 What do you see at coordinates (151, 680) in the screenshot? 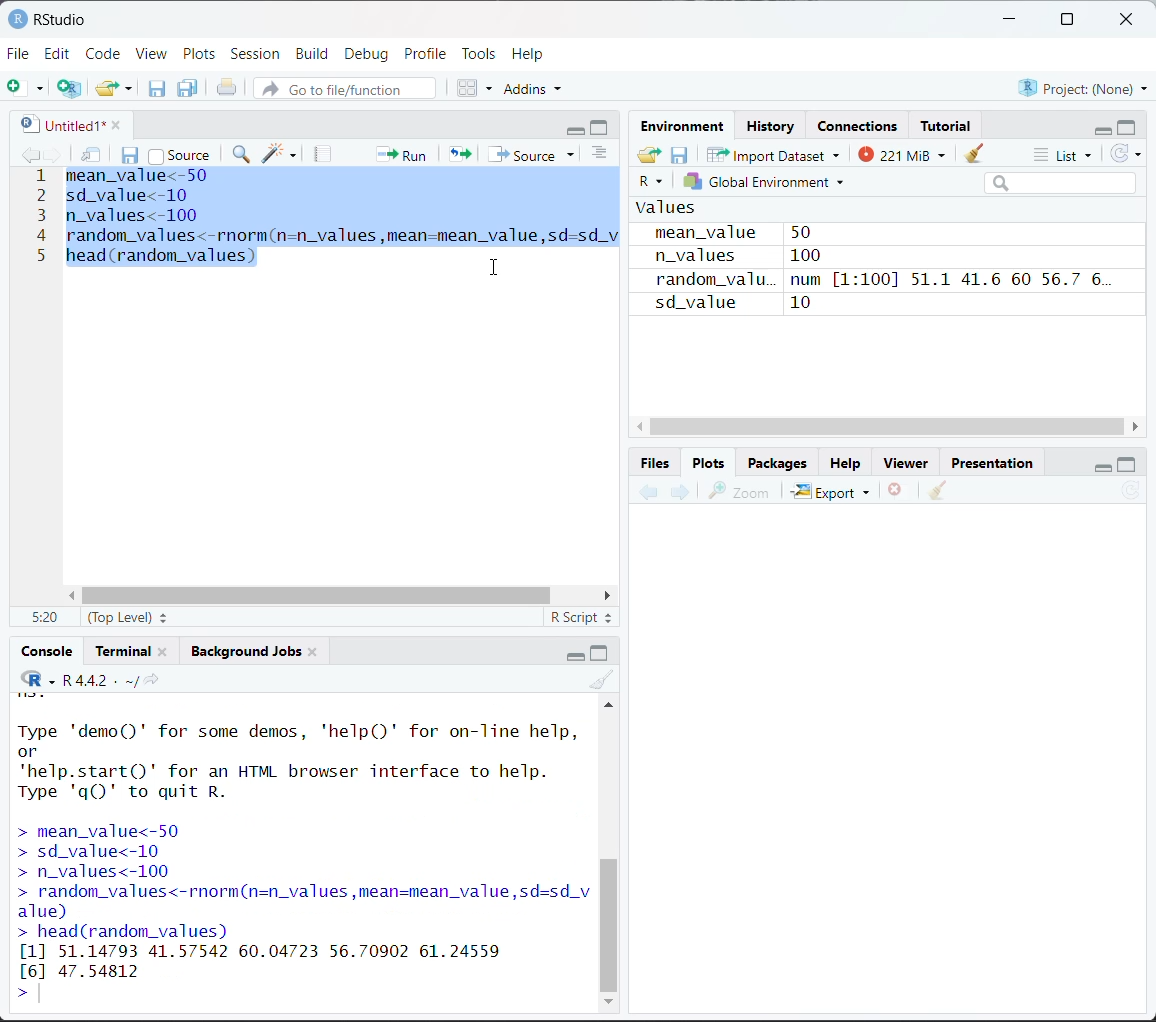
I see `view the current working directory` at bounding box center [151, 680].